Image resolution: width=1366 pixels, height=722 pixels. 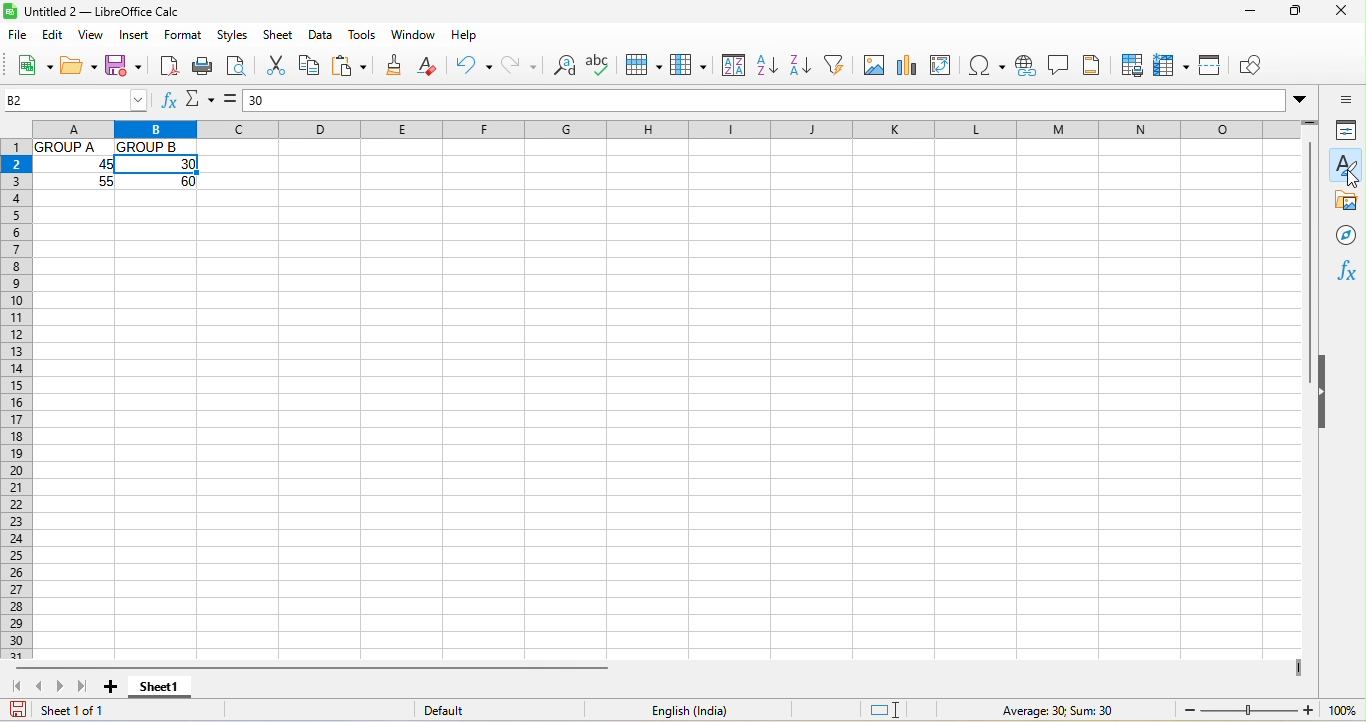 What do you see at coordinates (882, 708) in the screenshot?
I see `standard selection` at bounding box center [882, 708].